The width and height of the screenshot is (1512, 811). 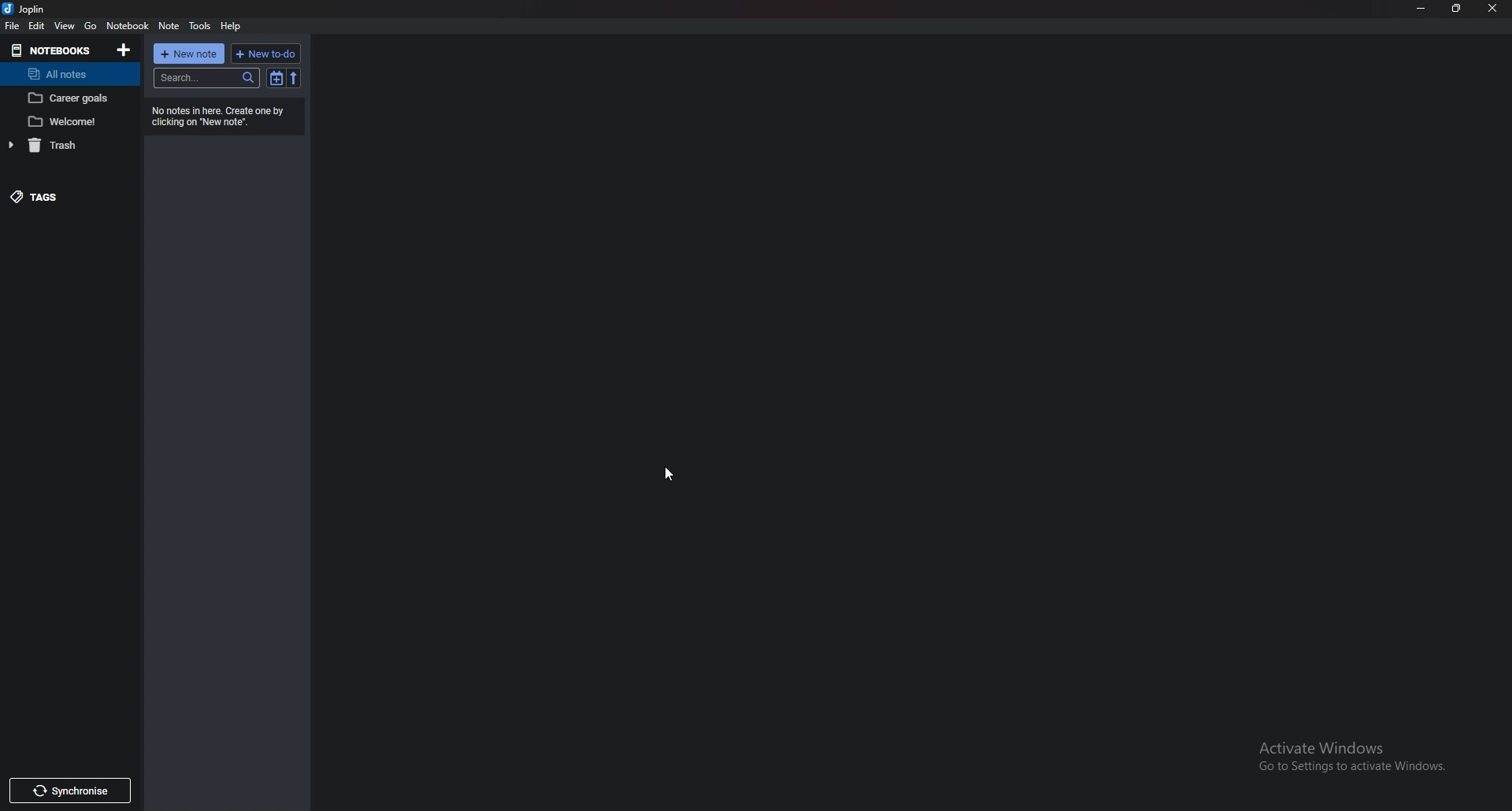 What do you see at coordinates (294, 77) in the screenshot?
I see `reverse sort order` at bounding box center [294, 77].